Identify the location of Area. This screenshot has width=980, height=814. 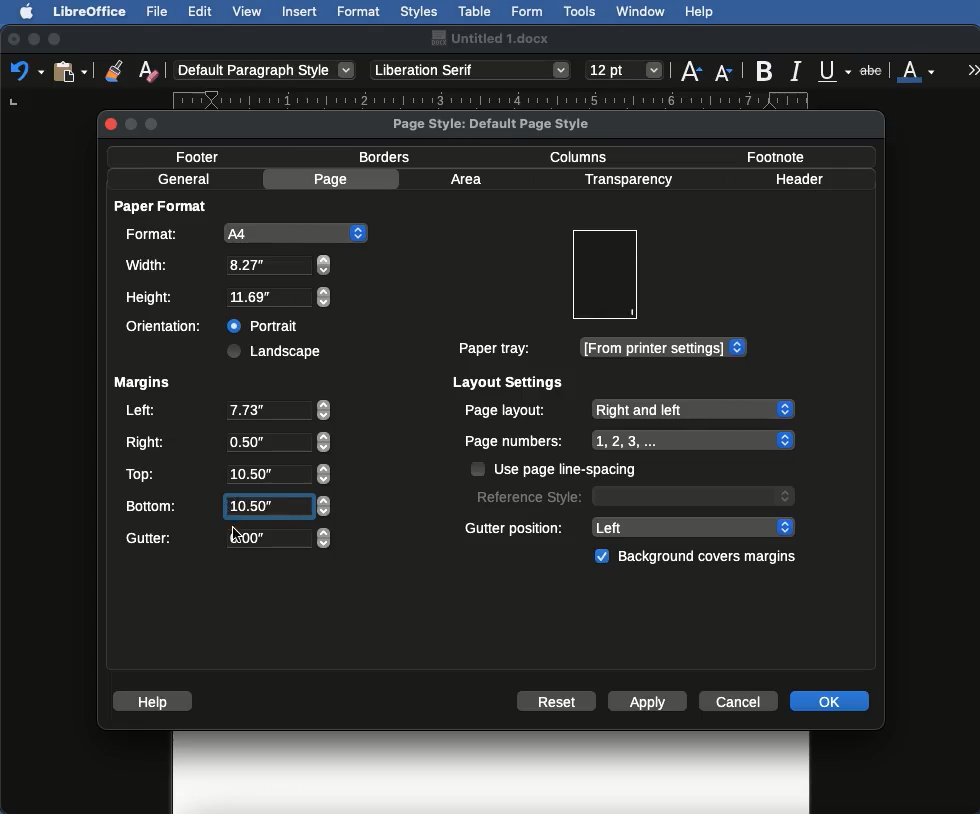
(469, 179).